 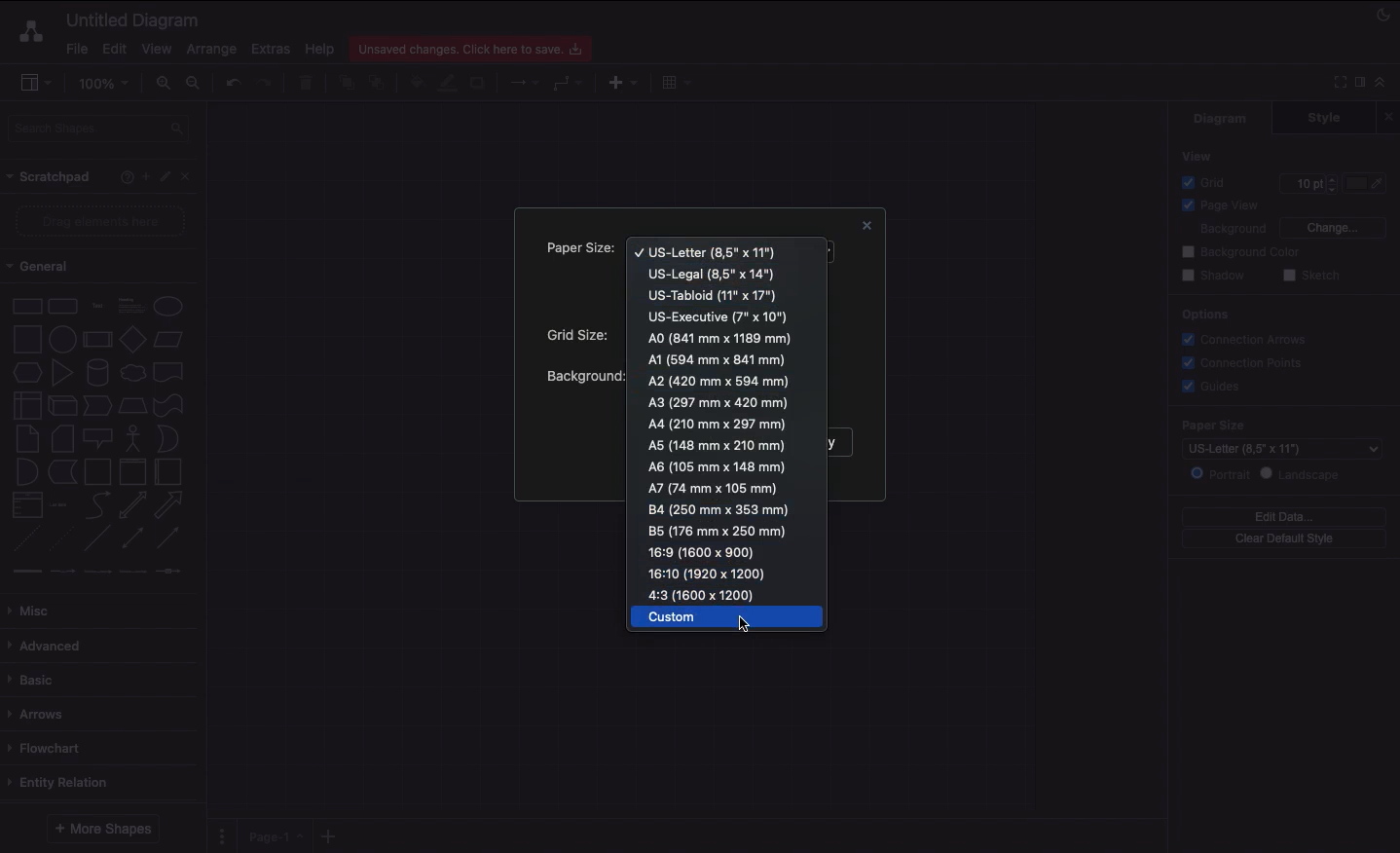 I want to click on Edit, so click(x=112, y=49).